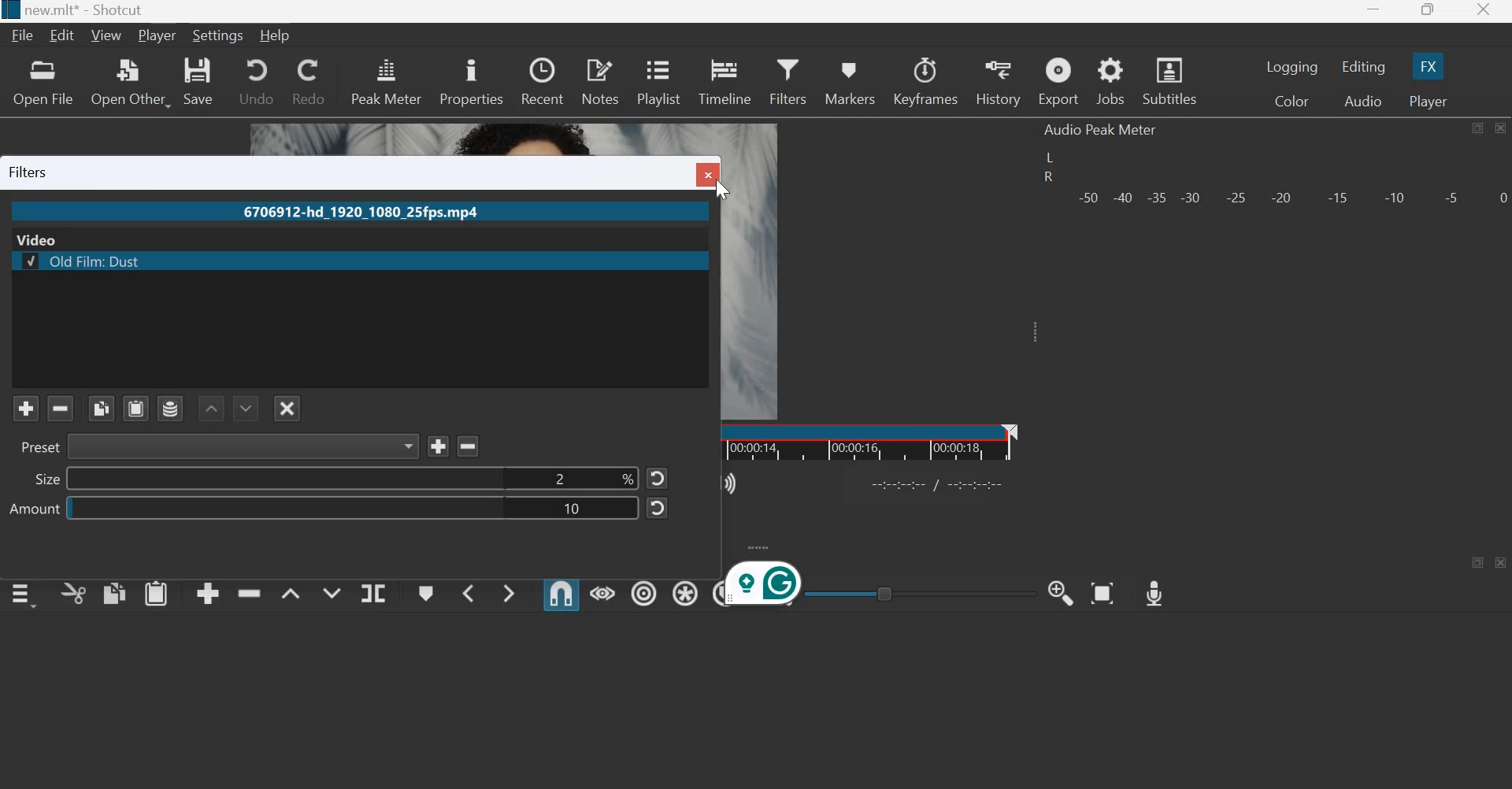  Describe the element at coordinates (758, 546) in the screenshot. I see `expand` at that location.